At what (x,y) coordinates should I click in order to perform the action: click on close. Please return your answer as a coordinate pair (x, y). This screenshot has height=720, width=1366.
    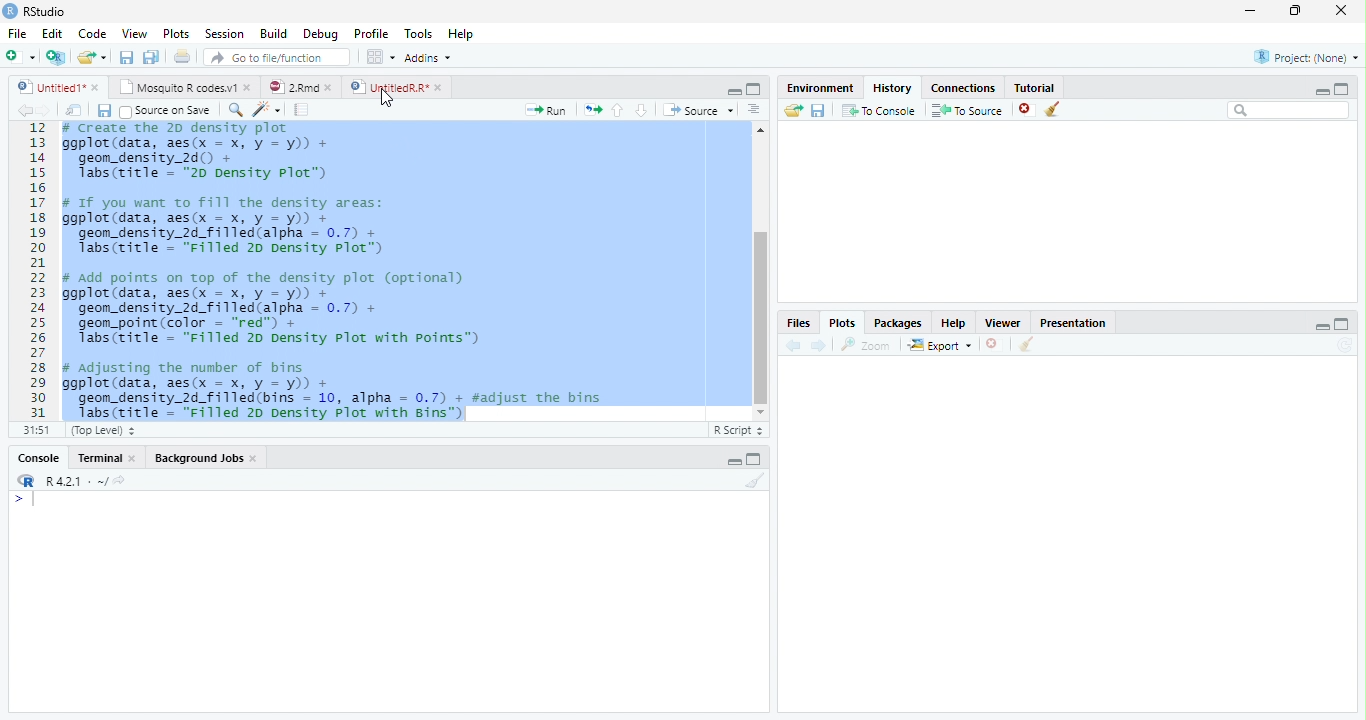
    Looking at the image, I should click on (1342, 10).